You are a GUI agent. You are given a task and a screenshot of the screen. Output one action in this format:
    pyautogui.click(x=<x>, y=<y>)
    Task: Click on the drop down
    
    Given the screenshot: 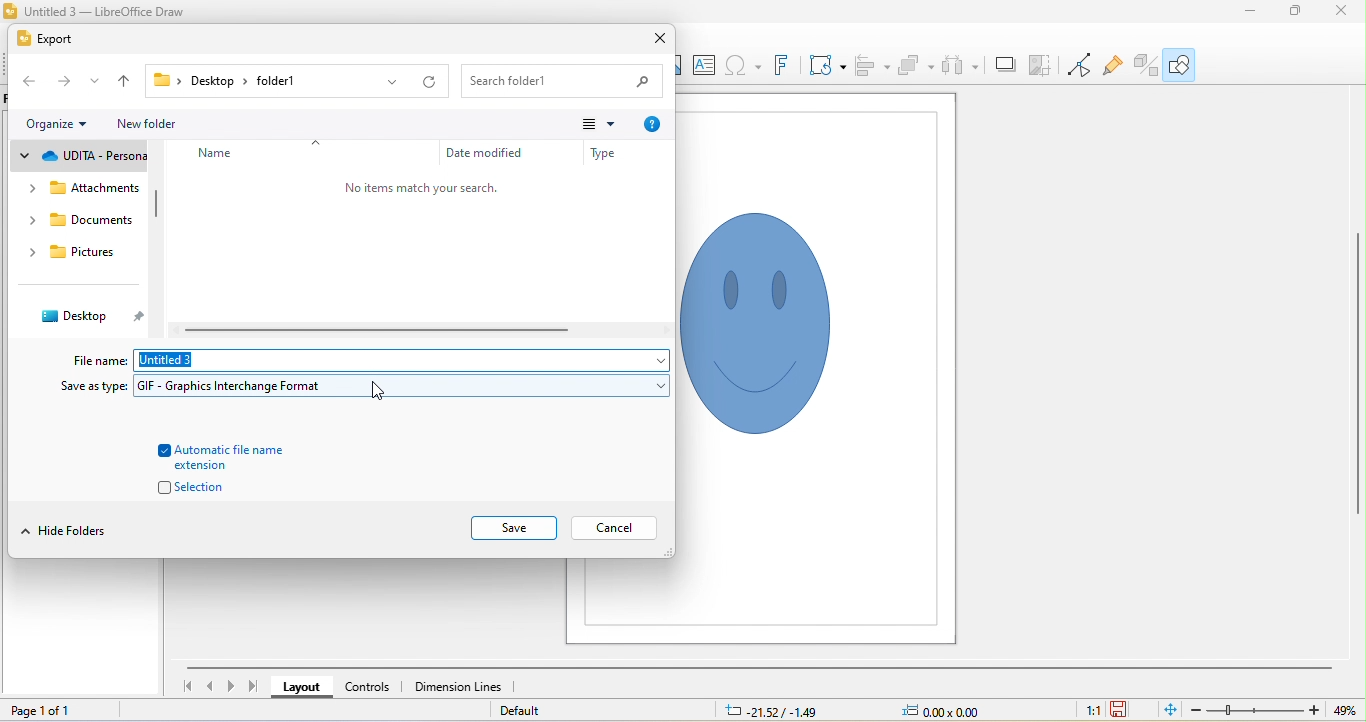 What is the action you would take?
    pyautogui.click(x=35, y=222)
    